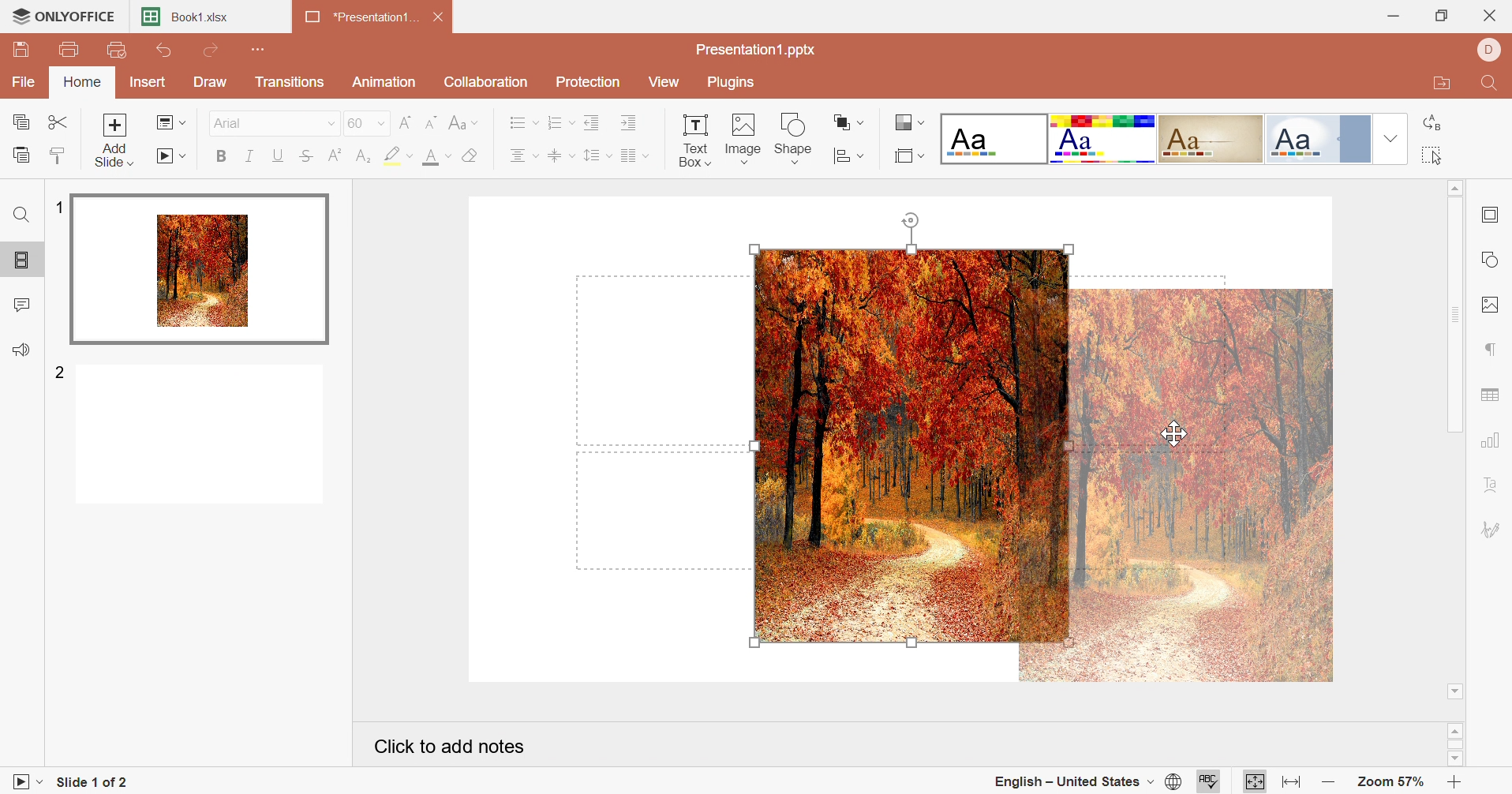 Image resolution: width=1512 pixels, height=794 pixels. I want to click on 2, so click(61, 370).